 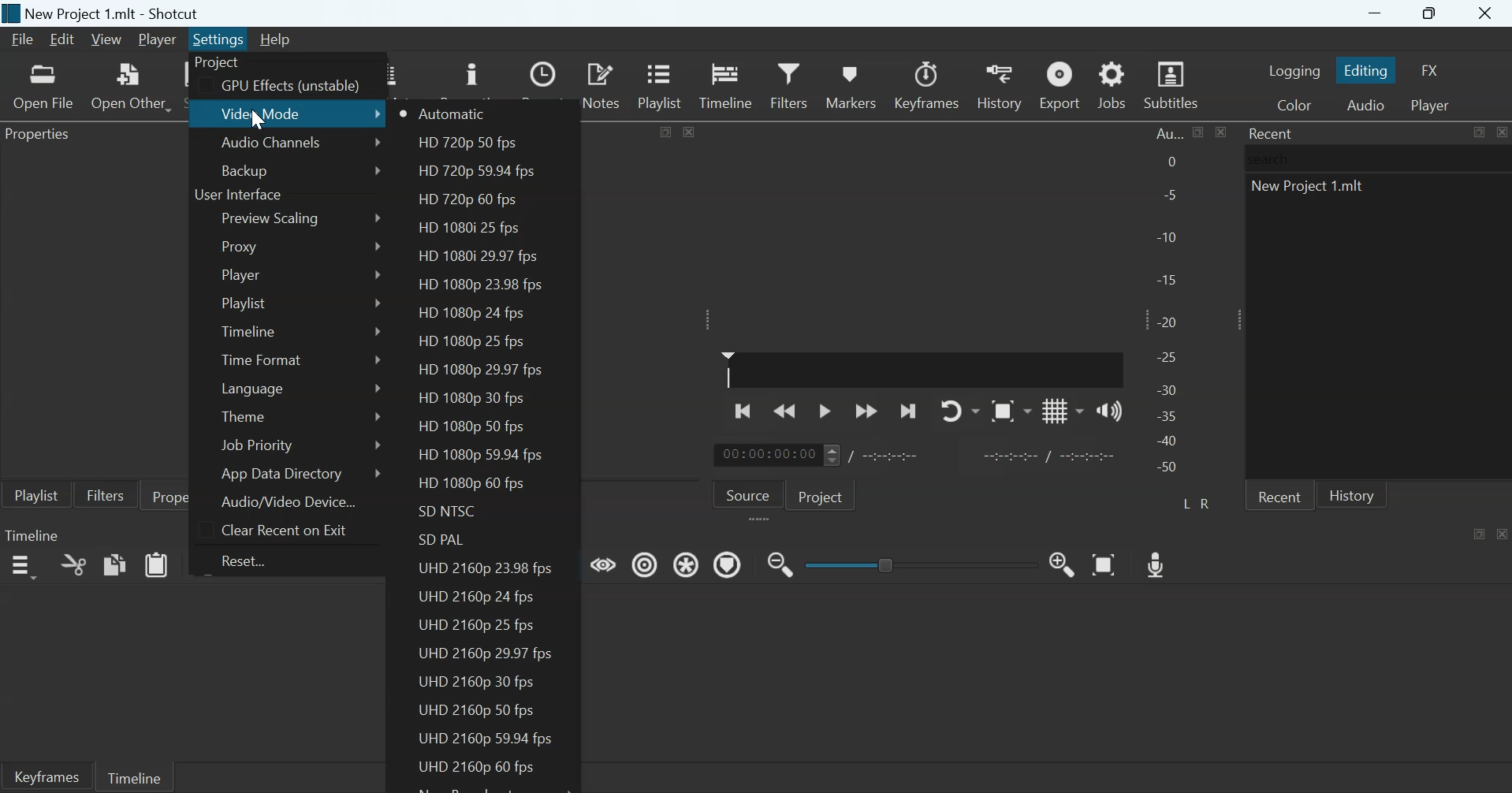 What do you see at coordinates (766, 455) in the screenshot?
I see `Timeline time` at bounding box center [766, 455].